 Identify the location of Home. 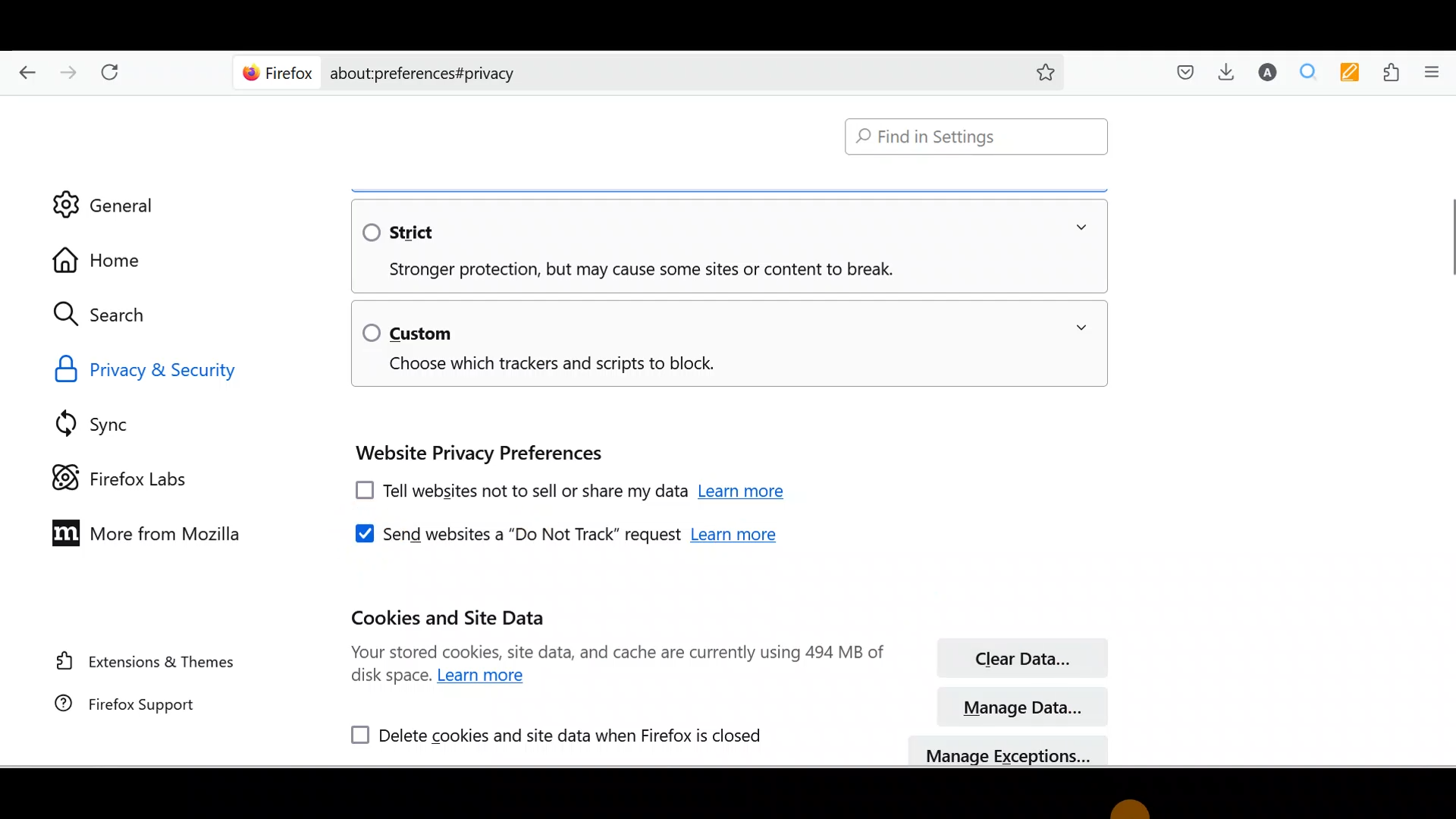
(104, 260).